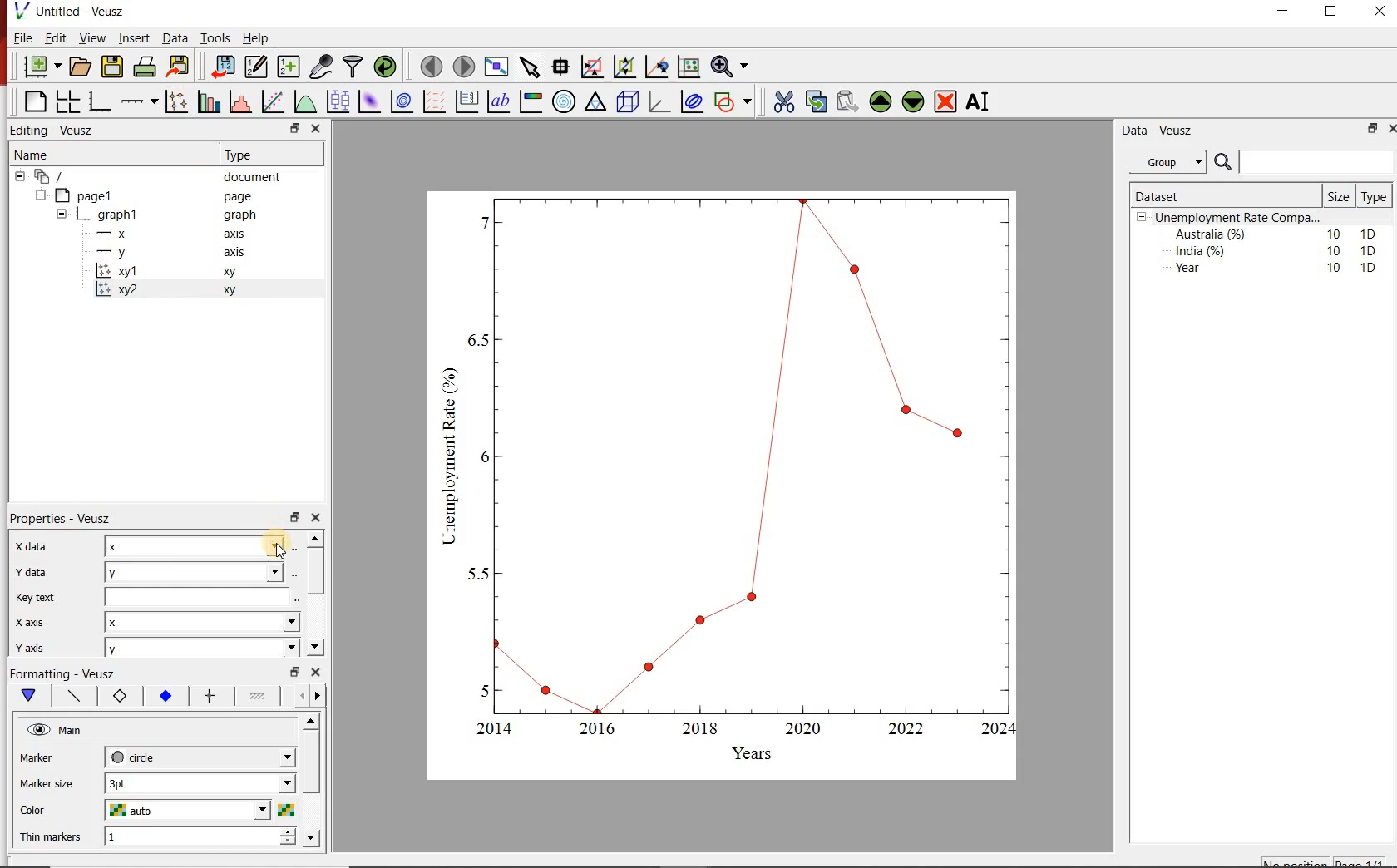 This screenshot has width=1397, height=868. What do you see at coordinates (61, 216) in the screenshot?
I see `collapse` at bounding box center [61, 216].